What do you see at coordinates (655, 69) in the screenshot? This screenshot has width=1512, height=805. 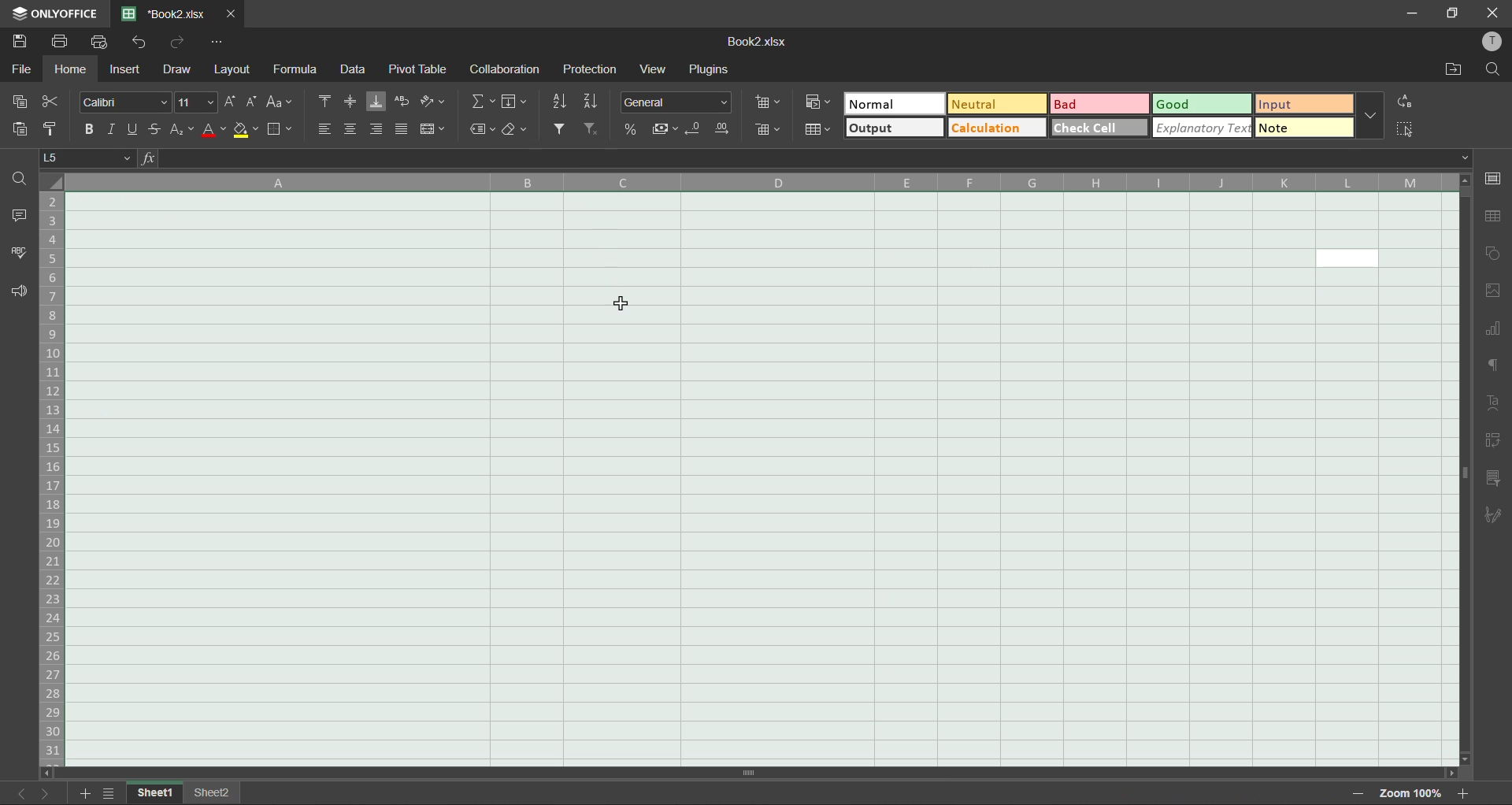 I see `view` at bounding box center [655, 69].